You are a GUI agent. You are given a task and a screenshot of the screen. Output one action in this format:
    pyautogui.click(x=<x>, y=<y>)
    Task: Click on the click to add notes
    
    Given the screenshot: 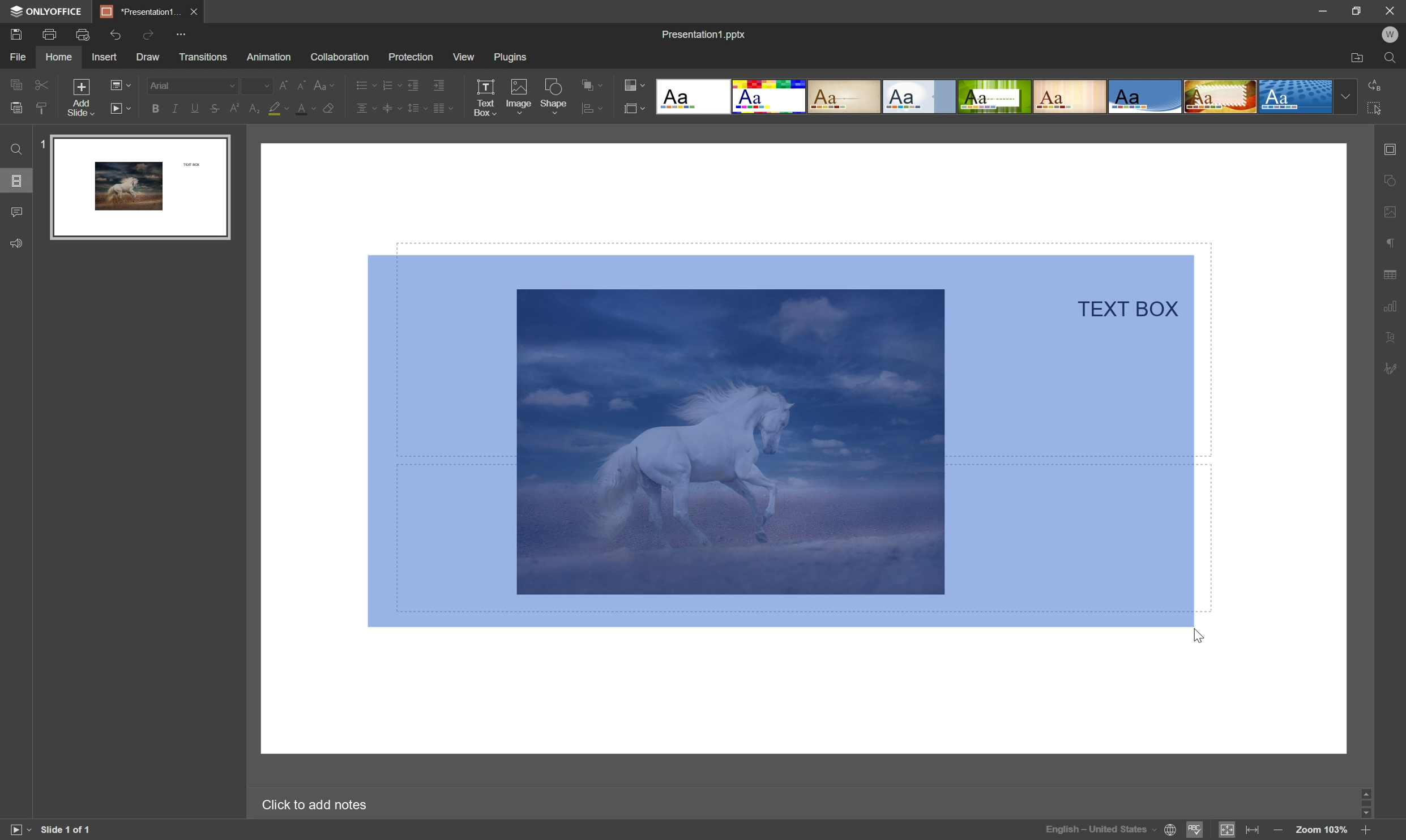 What is the action you would take?
    pyautogui.click(x=314, y=806)
    